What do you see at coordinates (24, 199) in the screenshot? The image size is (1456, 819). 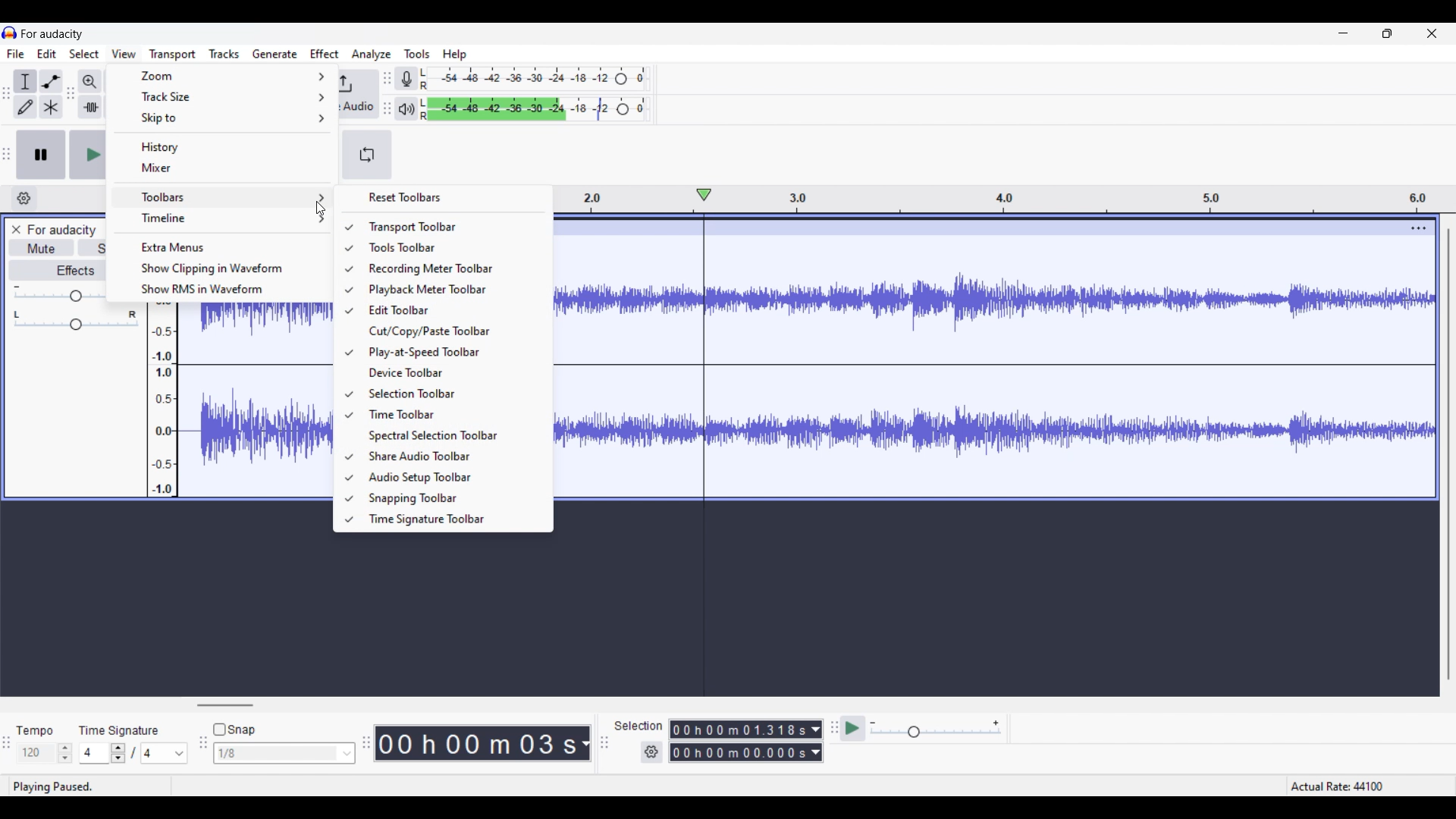 I see `Timeline settings` at bounding box center [24, 199].